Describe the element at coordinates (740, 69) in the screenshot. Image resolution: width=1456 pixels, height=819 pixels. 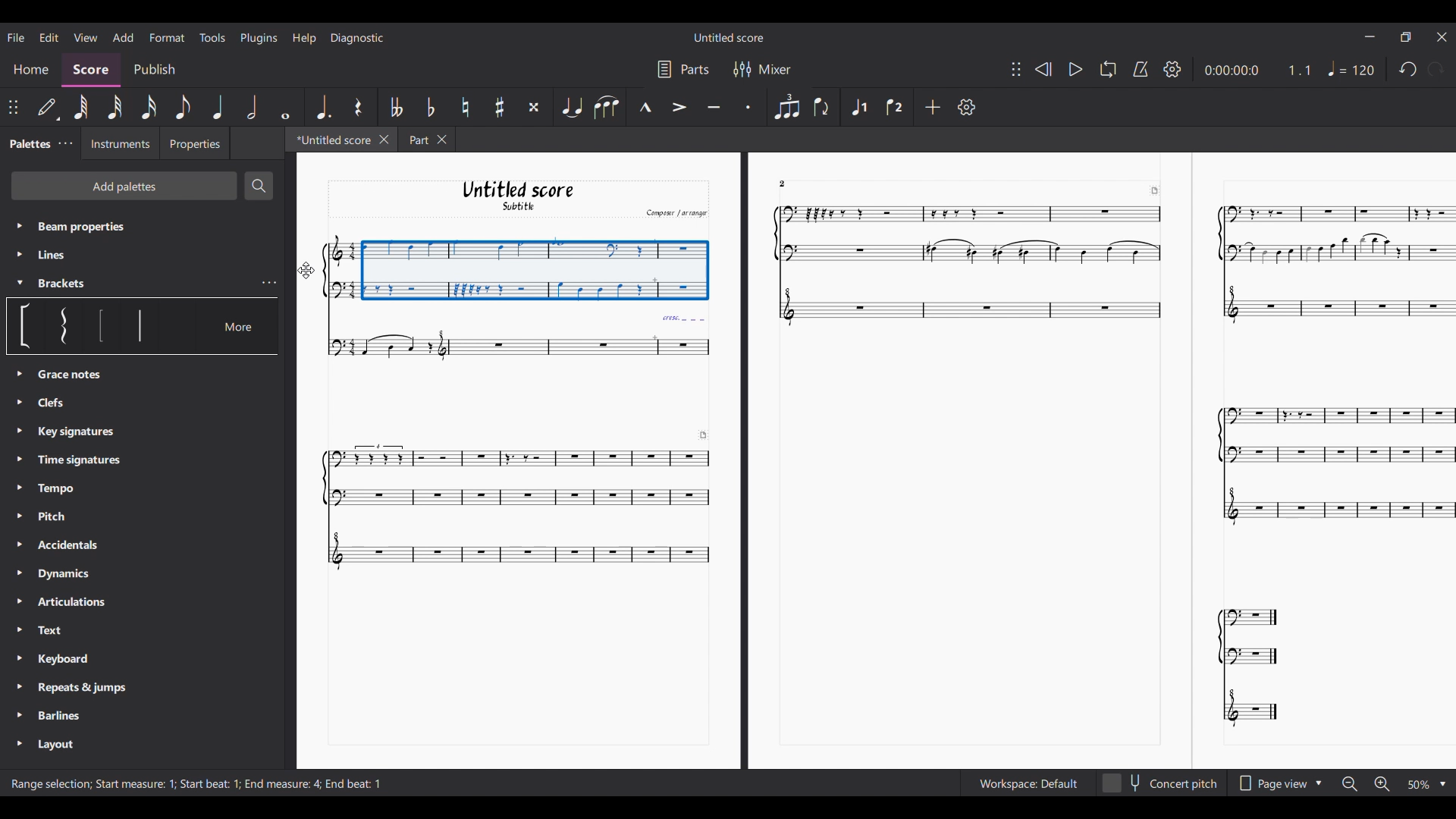
I see `Filter` at that location.